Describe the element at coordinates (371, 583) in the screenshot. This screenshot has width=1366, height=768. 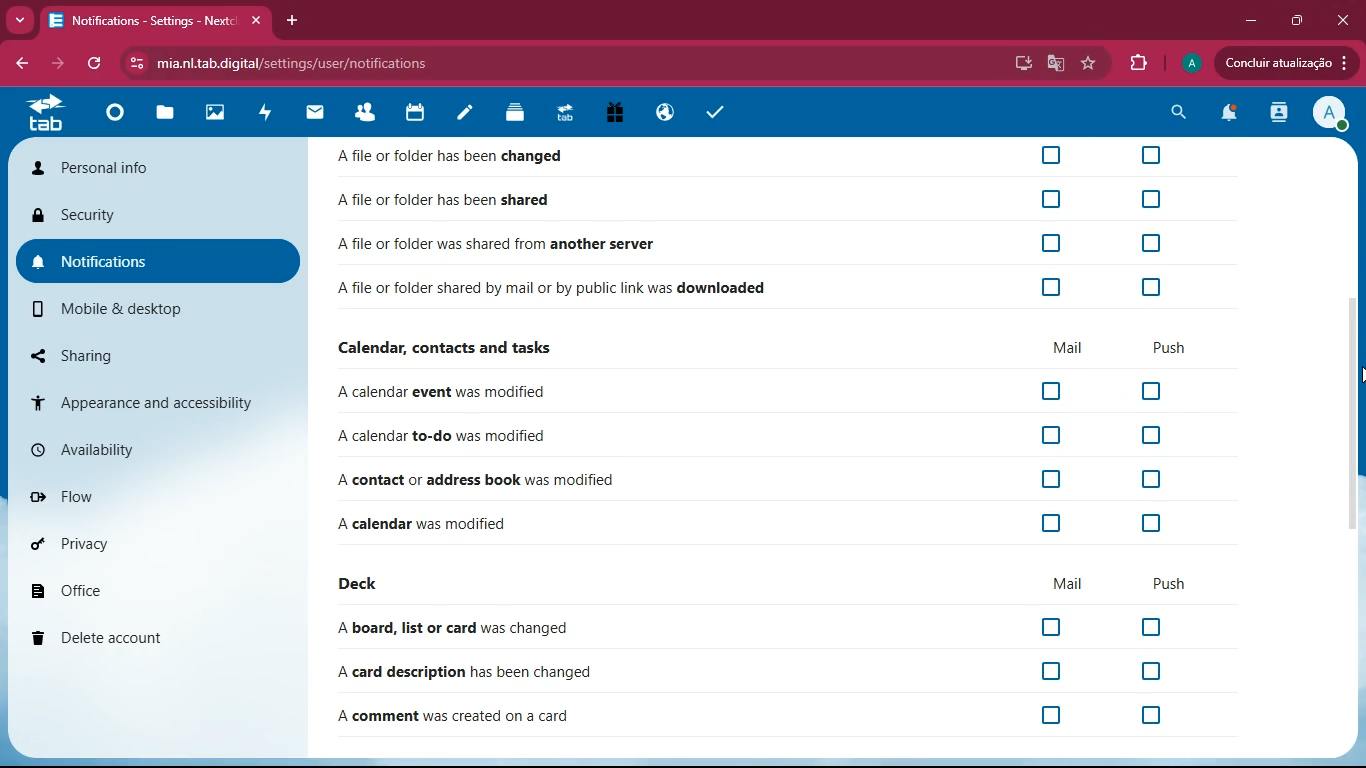
I see `deck` at that location.